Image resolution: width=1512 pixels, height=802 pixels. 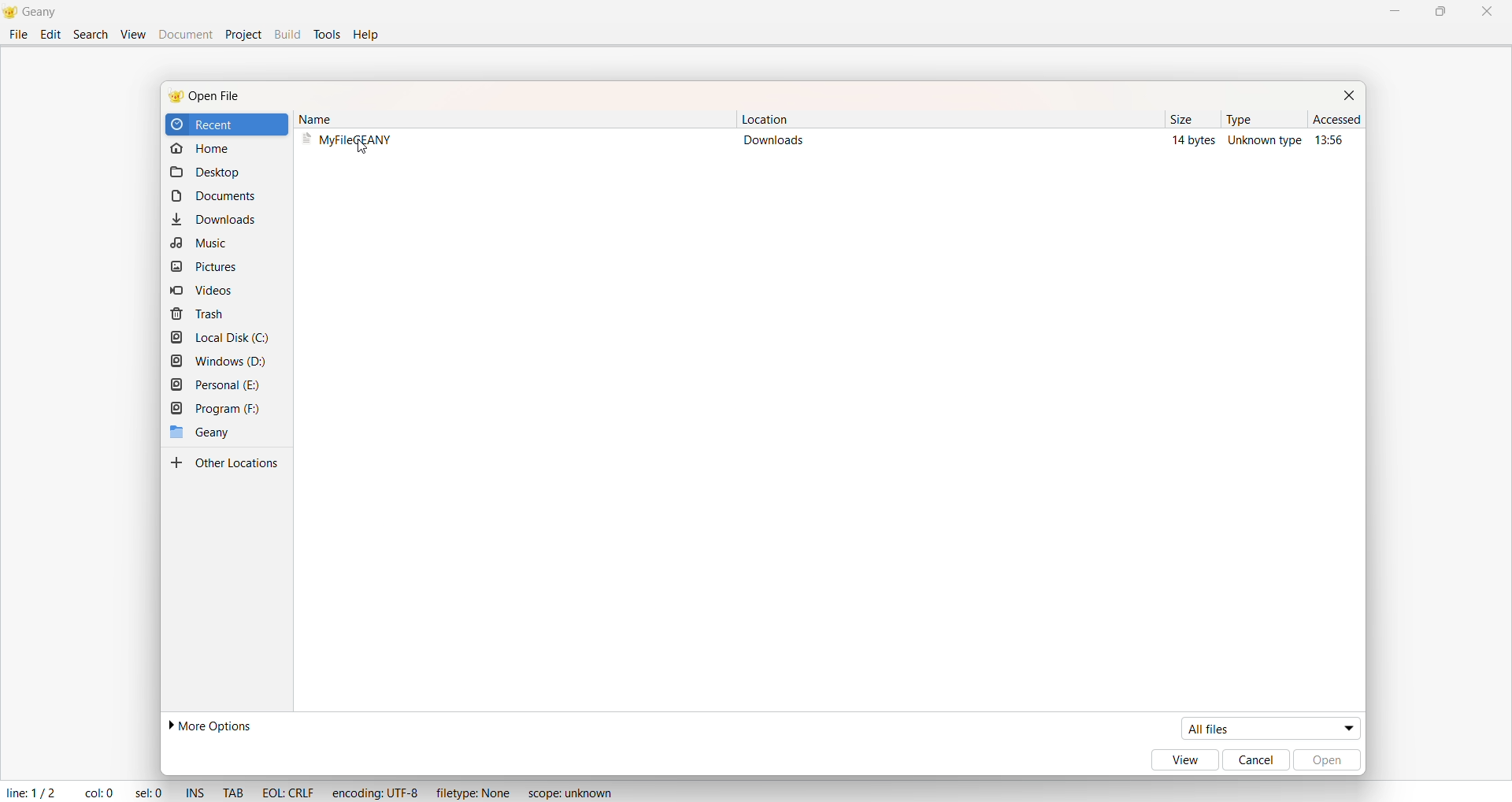 I want to click on ascend, so click(x=1330, y=122).